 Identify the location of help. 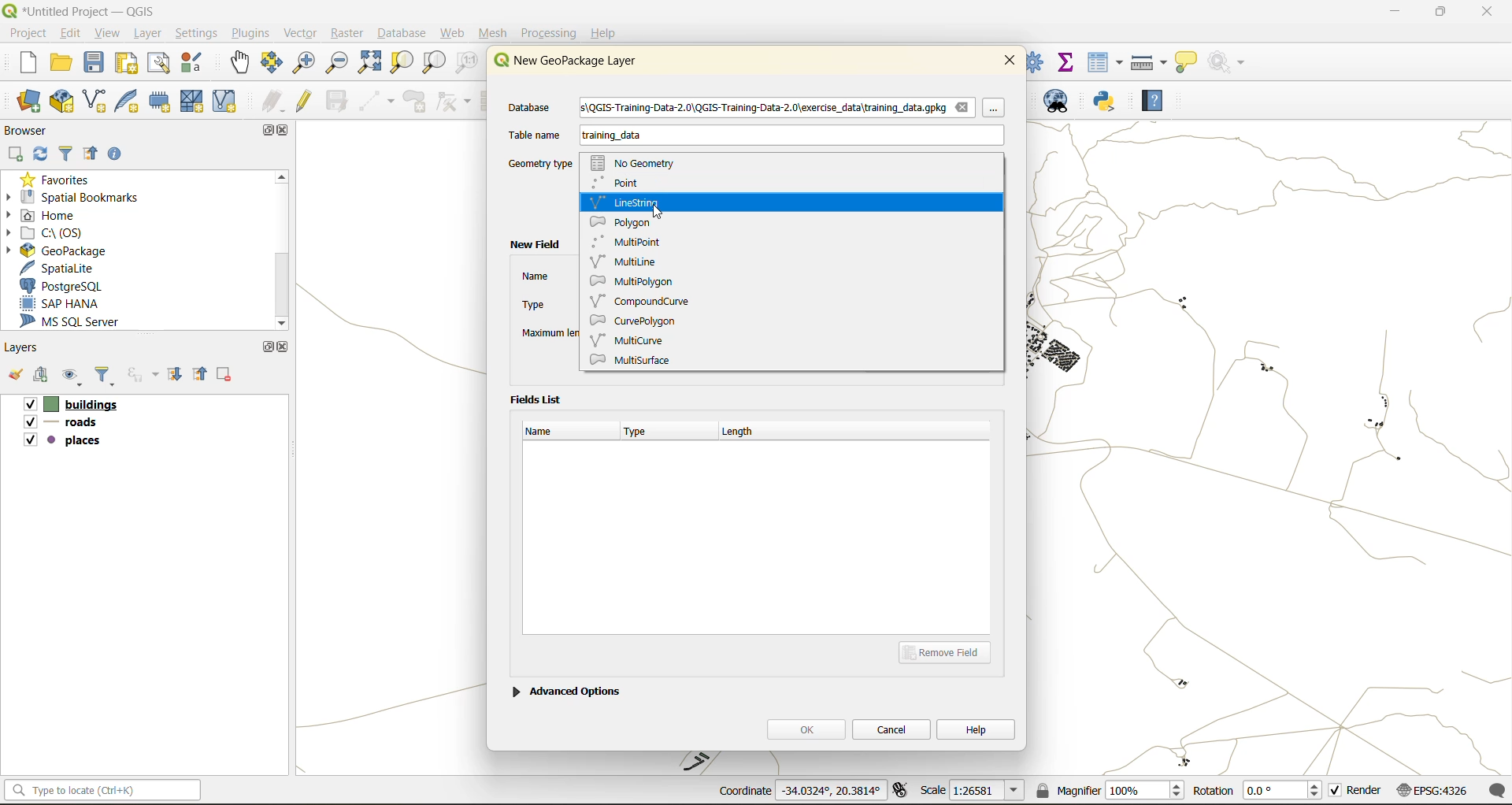
(976, 729).